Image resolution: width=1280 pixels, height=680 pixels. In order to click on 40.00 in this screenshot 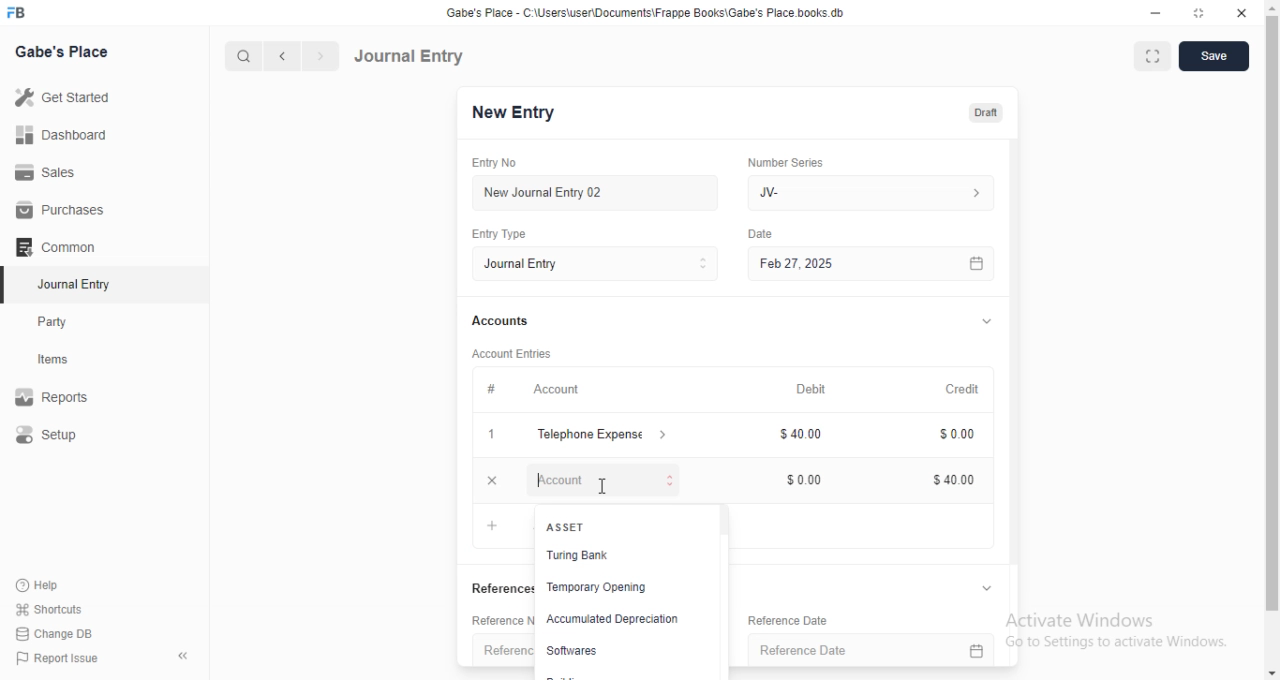, I will do `click(803, 435)`.